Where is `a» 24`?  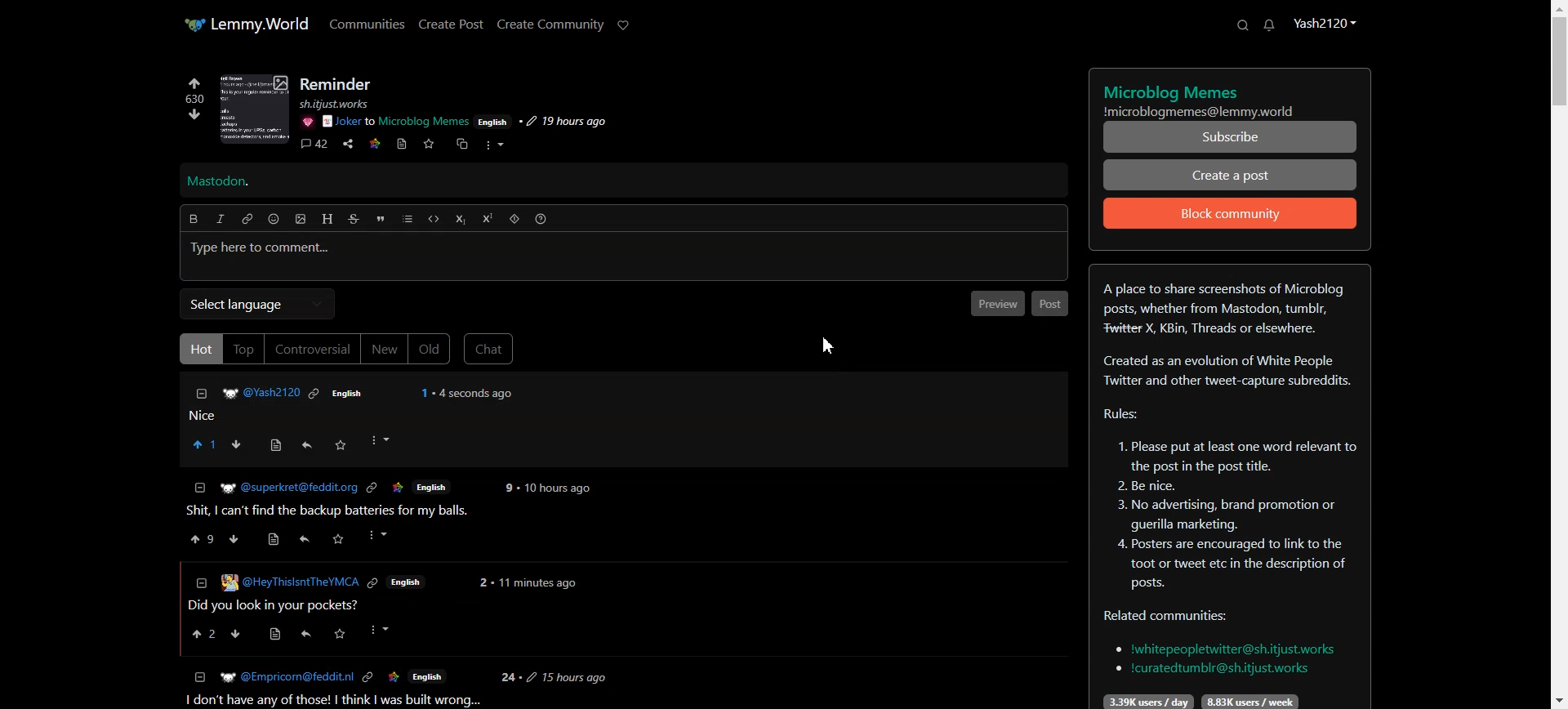
a» 24 is located at coordinates (203, 634).